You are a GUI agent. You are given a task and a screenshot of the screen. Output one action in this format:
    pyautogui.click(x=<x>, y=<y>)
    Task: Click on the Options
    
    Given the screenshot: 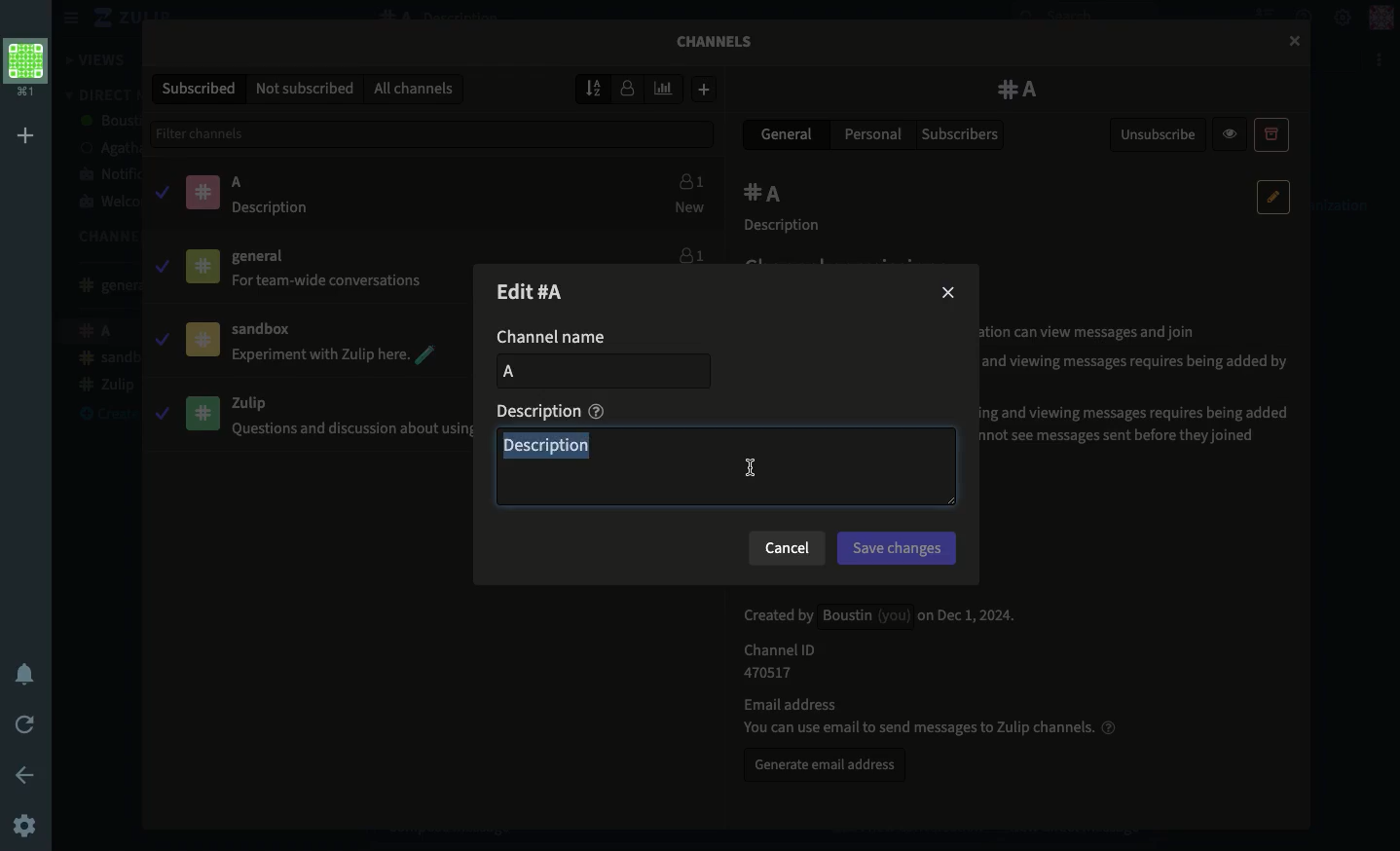 What is the action you would take?
    pyautogui.click(x=1381, y=60)
    